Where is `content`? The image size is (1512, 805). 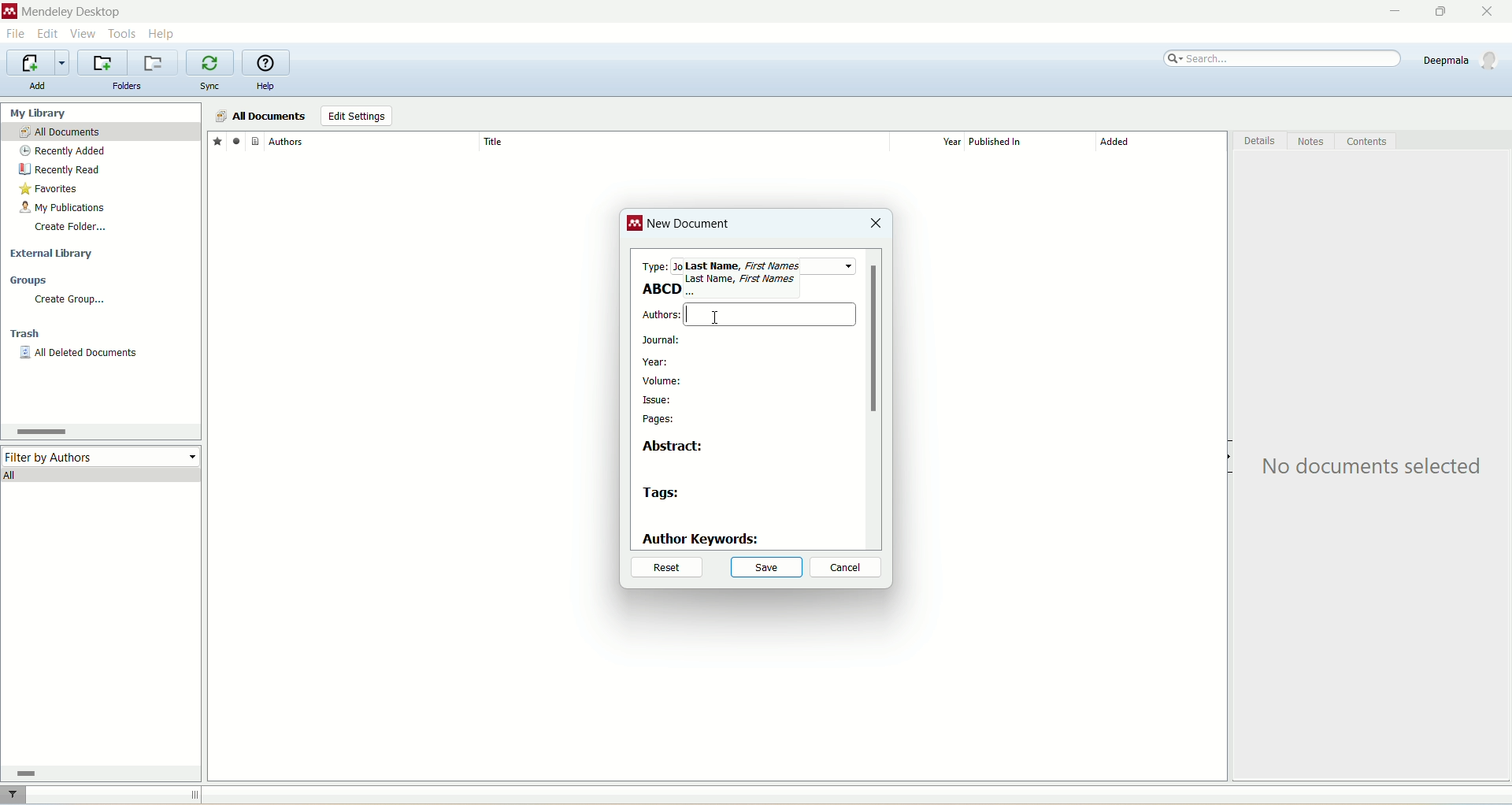 content is located at coordinates (1366, 142).